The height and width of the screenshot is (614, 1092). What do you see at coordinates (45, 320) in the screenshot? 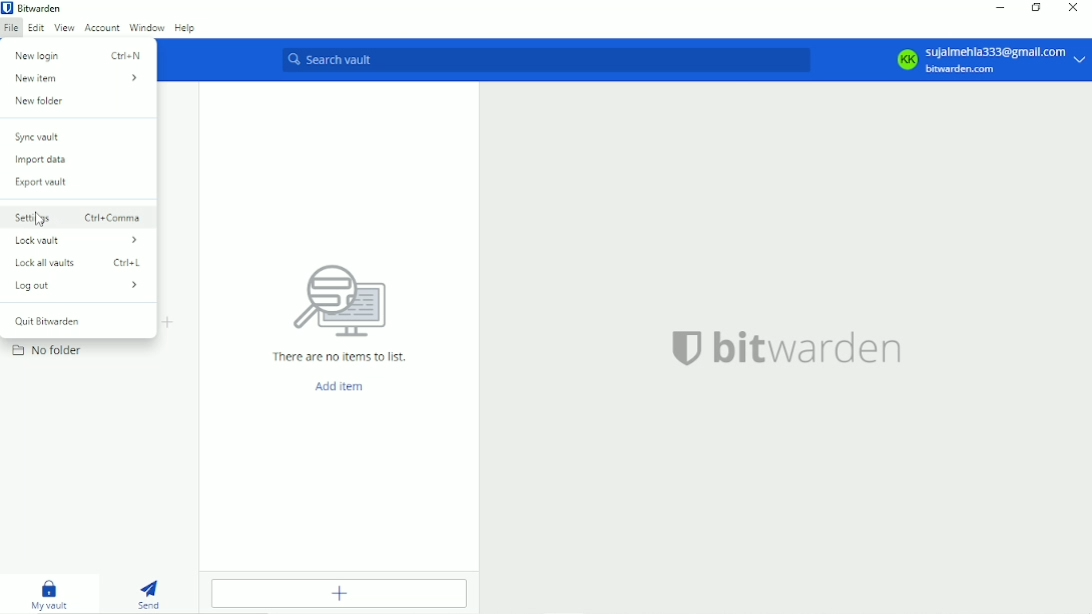
I see `Quit bitwarden` at bounding box center [45, 320].